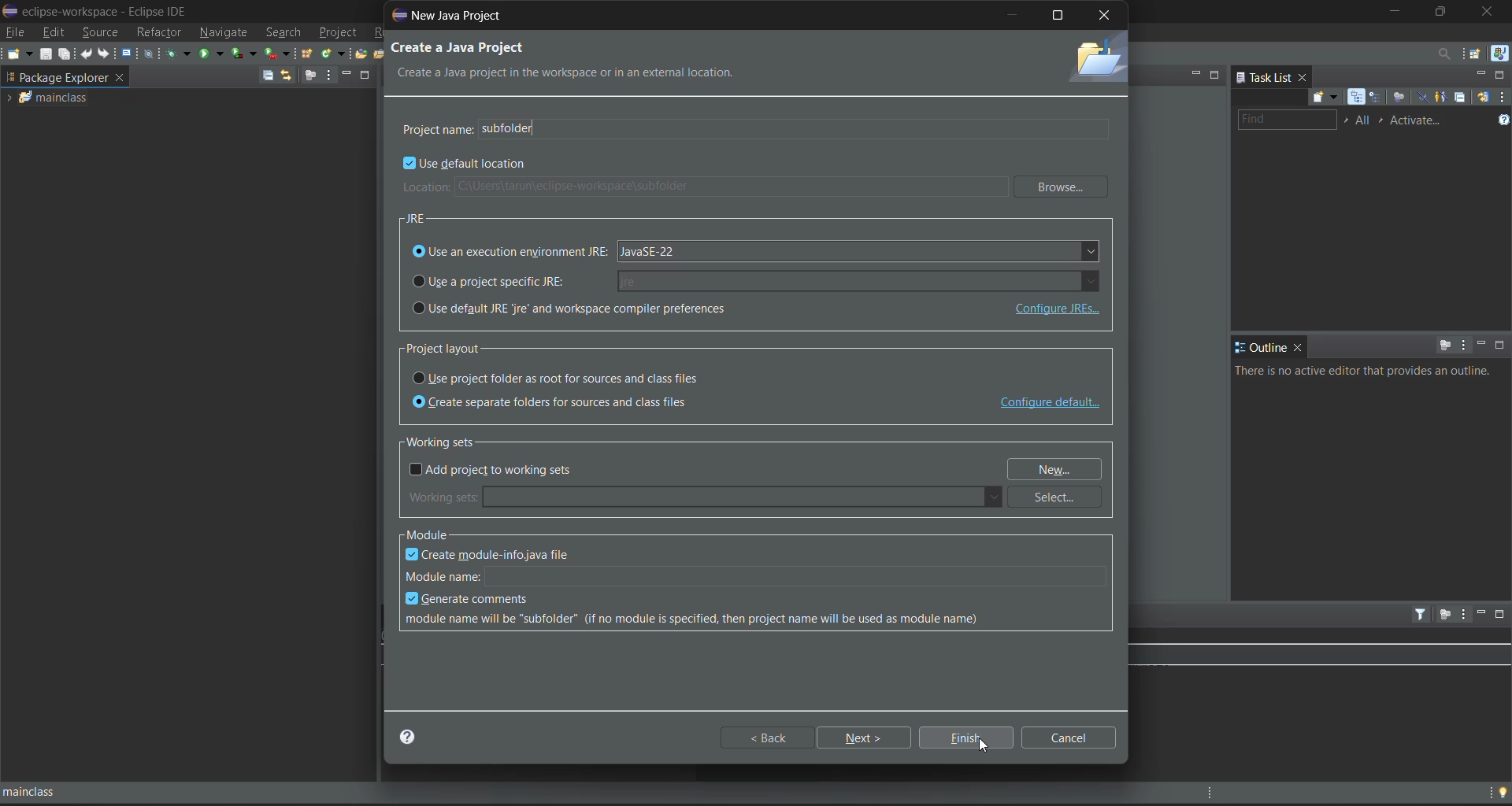 The width and height of the screenshot is (1512, 806). I want to click on new java class, so click(335, 53).